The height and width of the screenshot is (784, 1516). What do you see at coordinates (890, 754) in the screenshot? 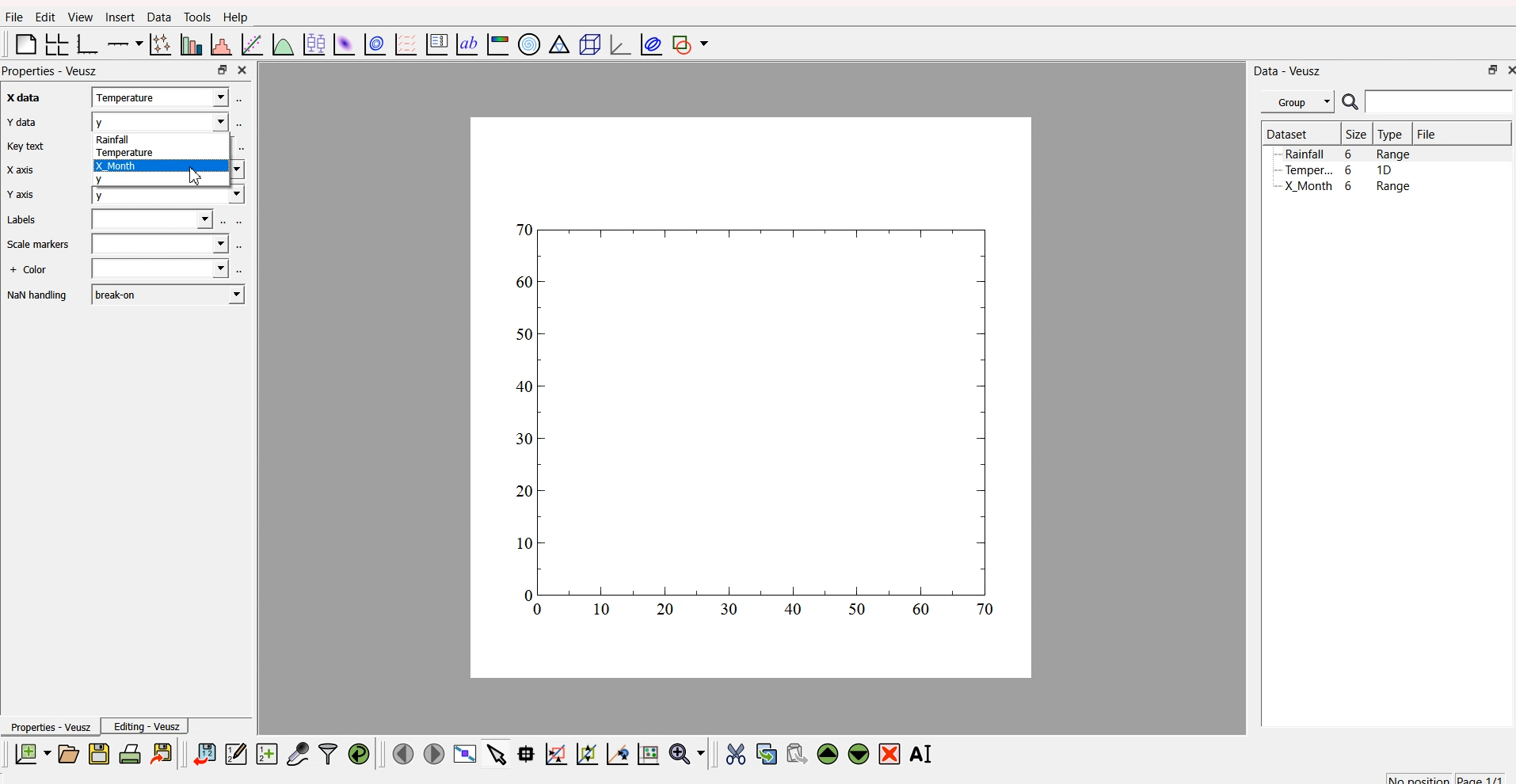
I see `remove the selected widget` at bounding box center [890, 754].